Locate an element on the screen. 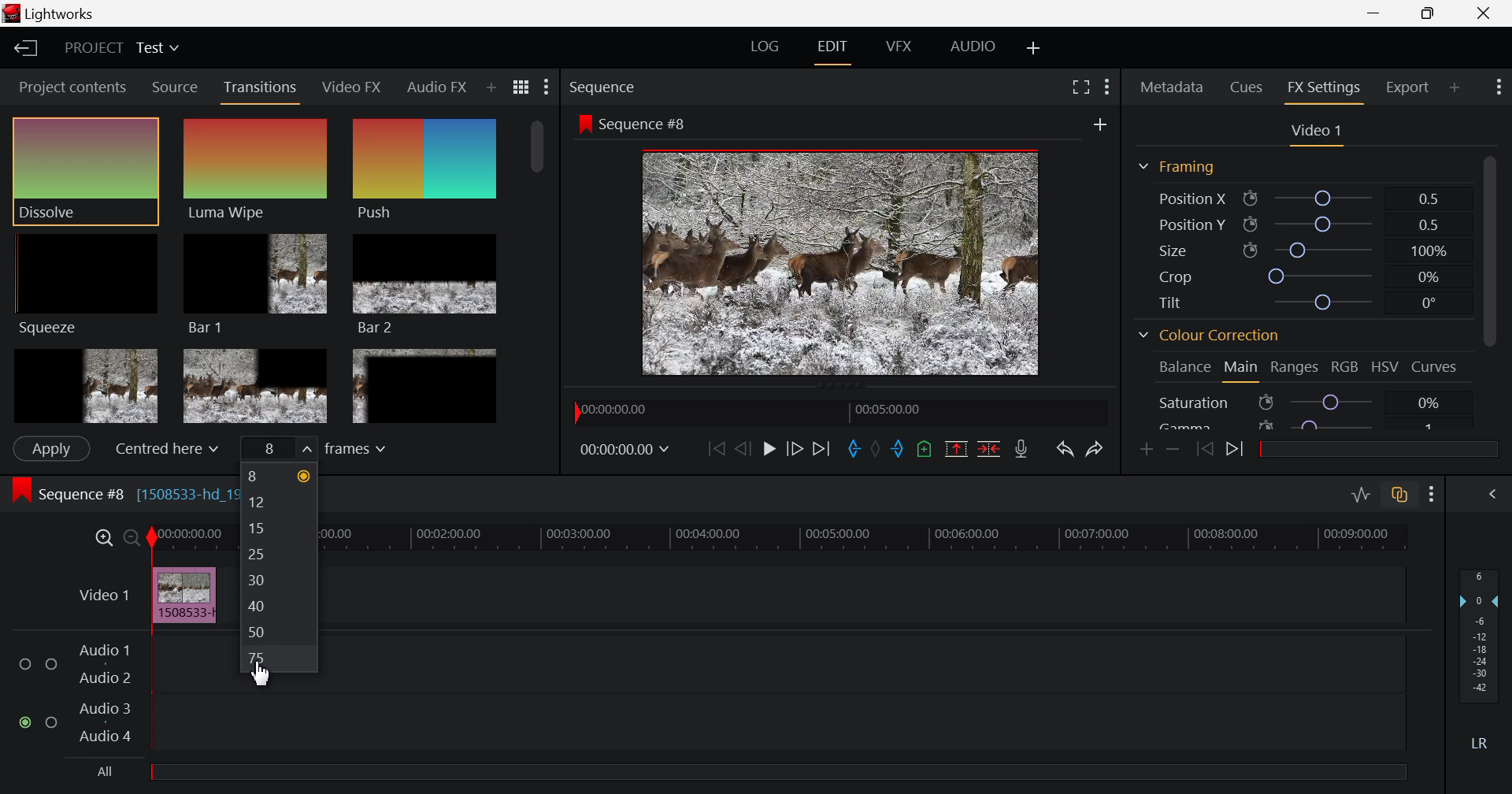 The width and height of the screenshot is (1512, 794). Scroll Bar is located at coordinates (1494, 287).